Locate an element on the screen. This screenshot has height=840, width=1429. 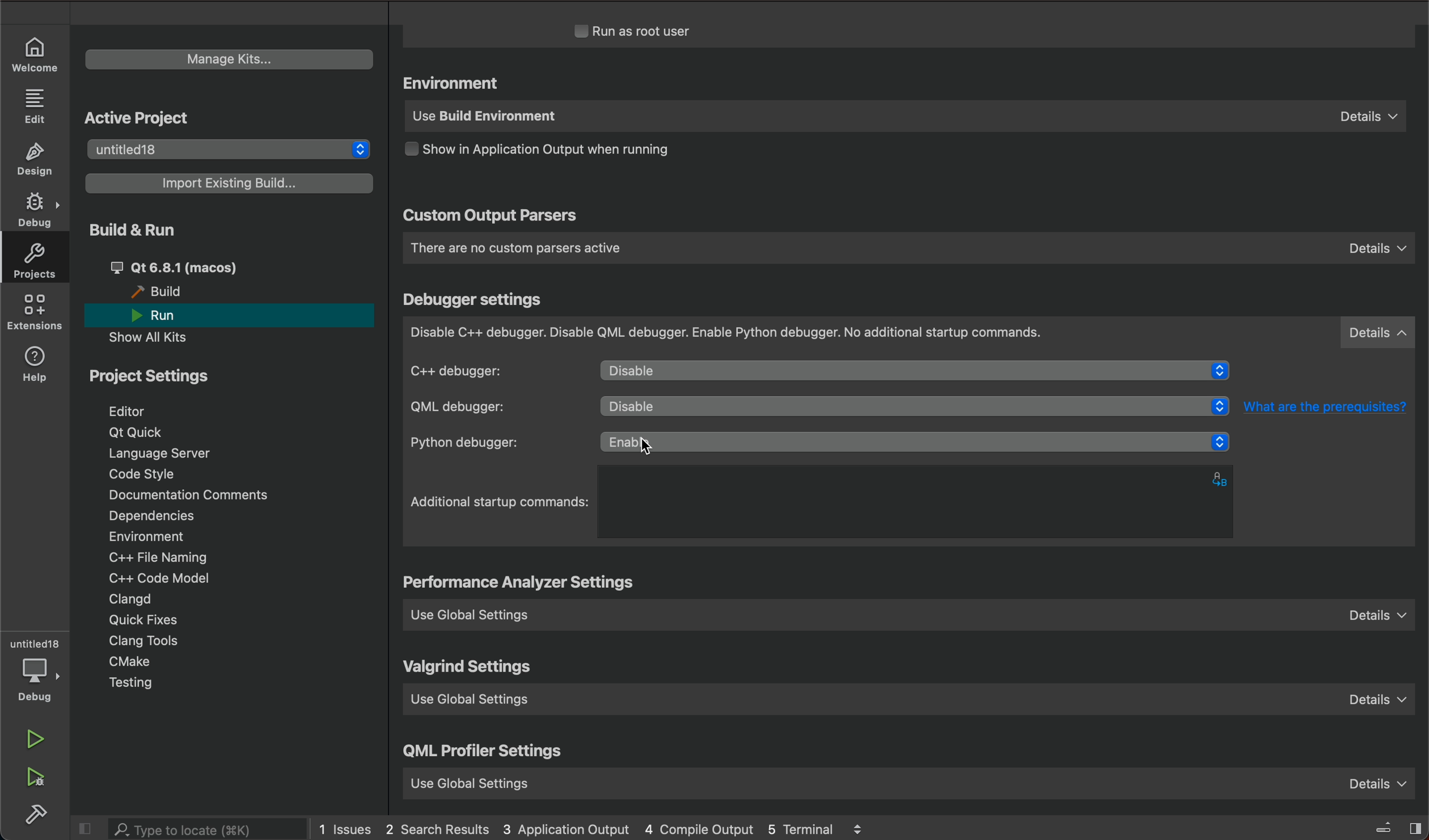
c++  is located at coordinates (489, 370).